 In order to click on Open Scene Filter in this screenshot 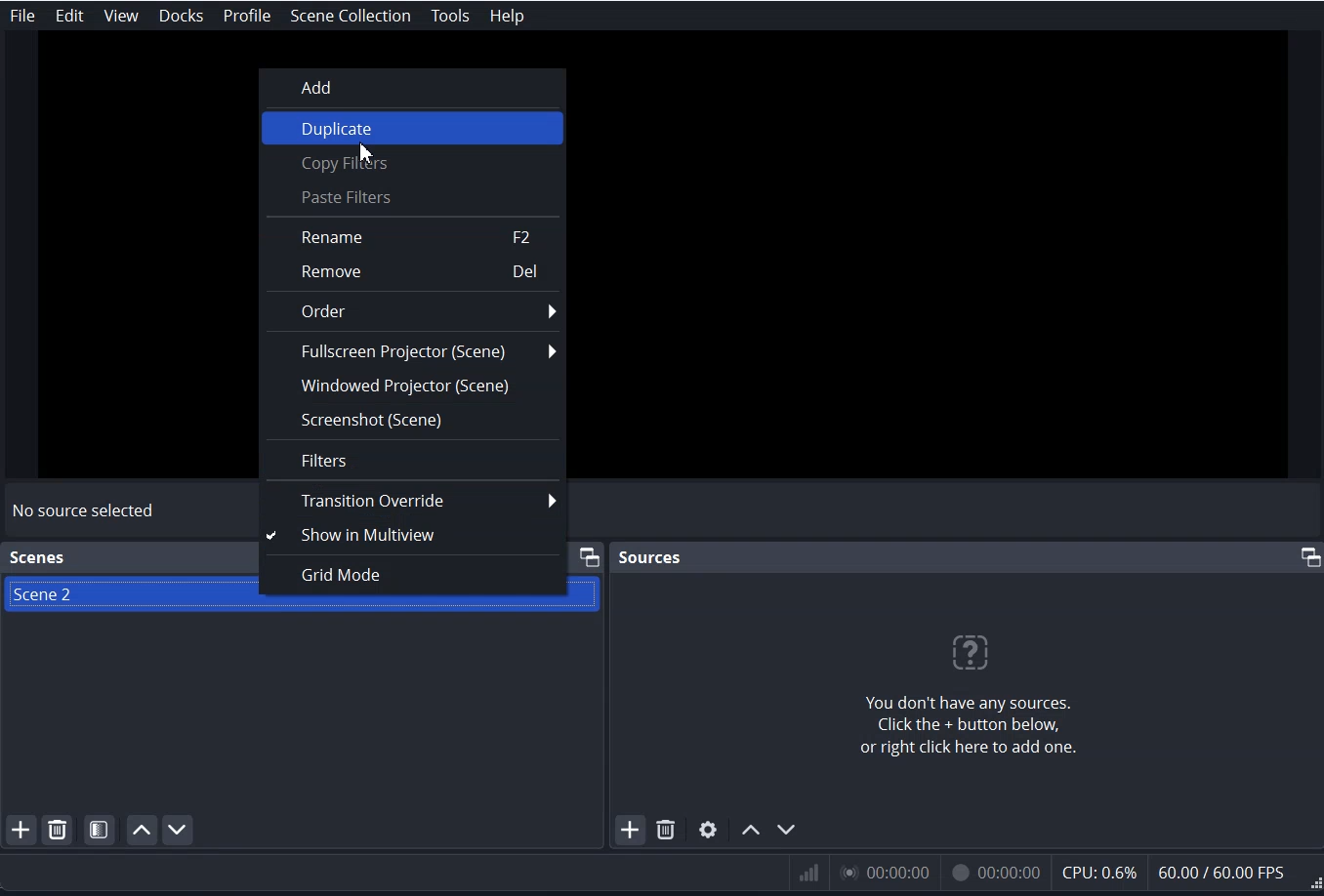, I will do `click(100, 830)`.